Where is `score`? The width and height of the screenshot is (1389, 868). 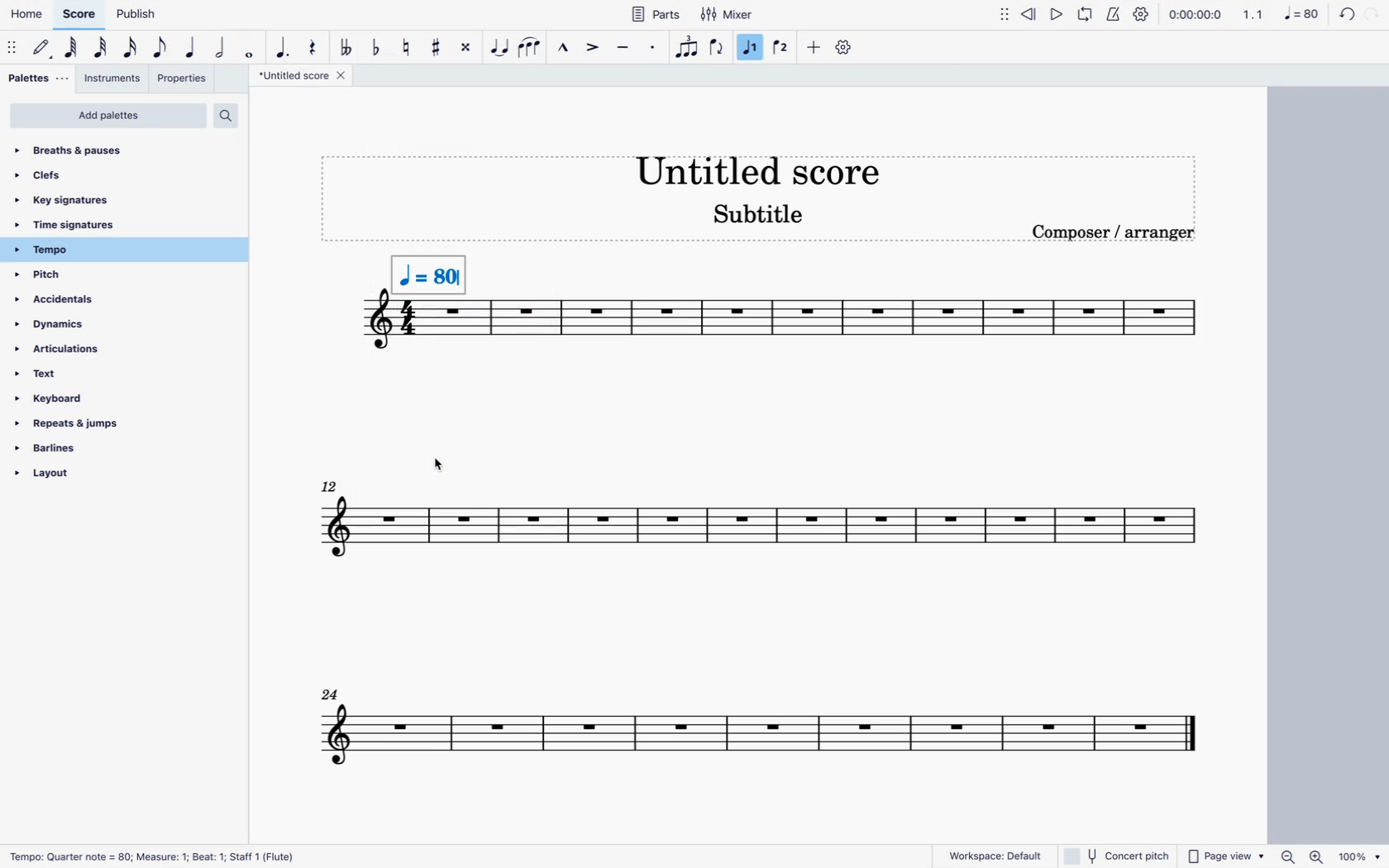 score is located at coordinates (752, 737).